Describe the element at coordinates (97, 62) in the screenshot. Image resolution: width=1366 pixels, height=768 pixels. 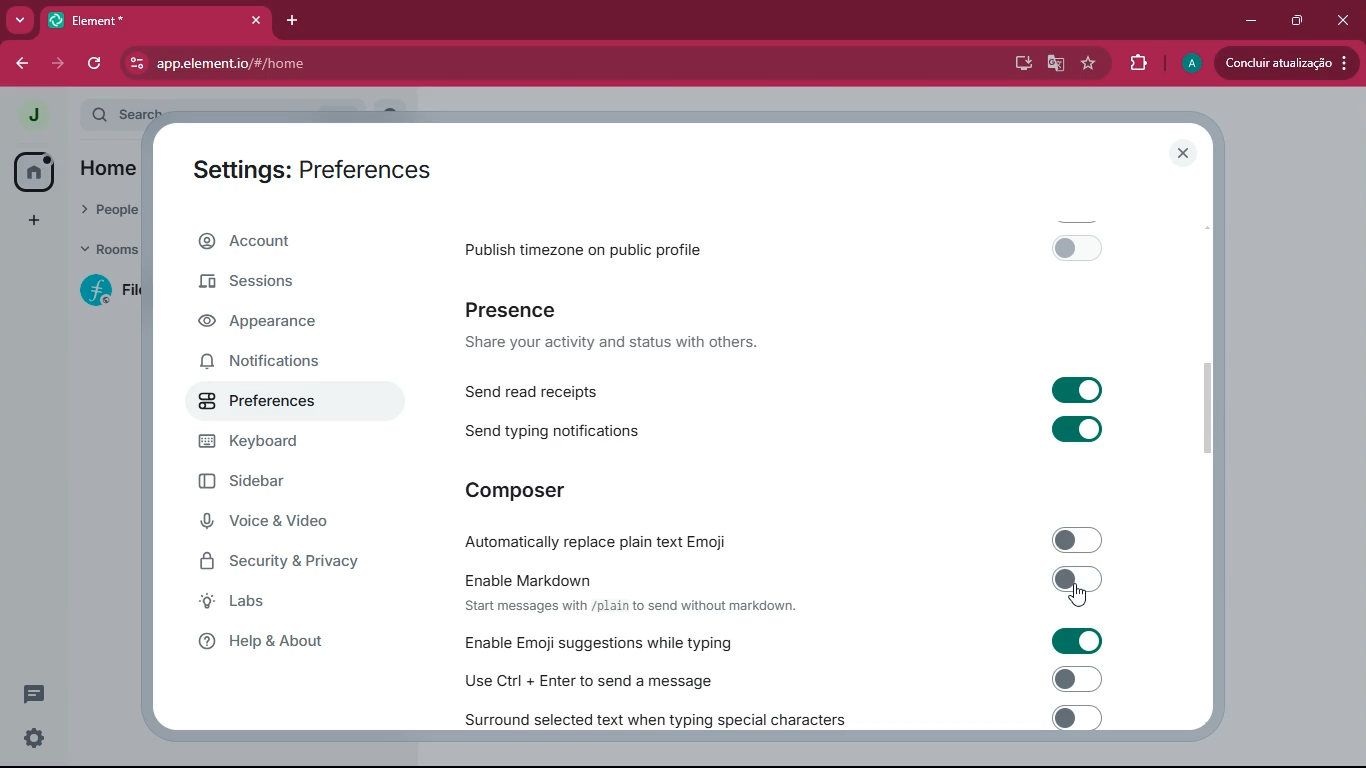
I see `refresh` at that location.